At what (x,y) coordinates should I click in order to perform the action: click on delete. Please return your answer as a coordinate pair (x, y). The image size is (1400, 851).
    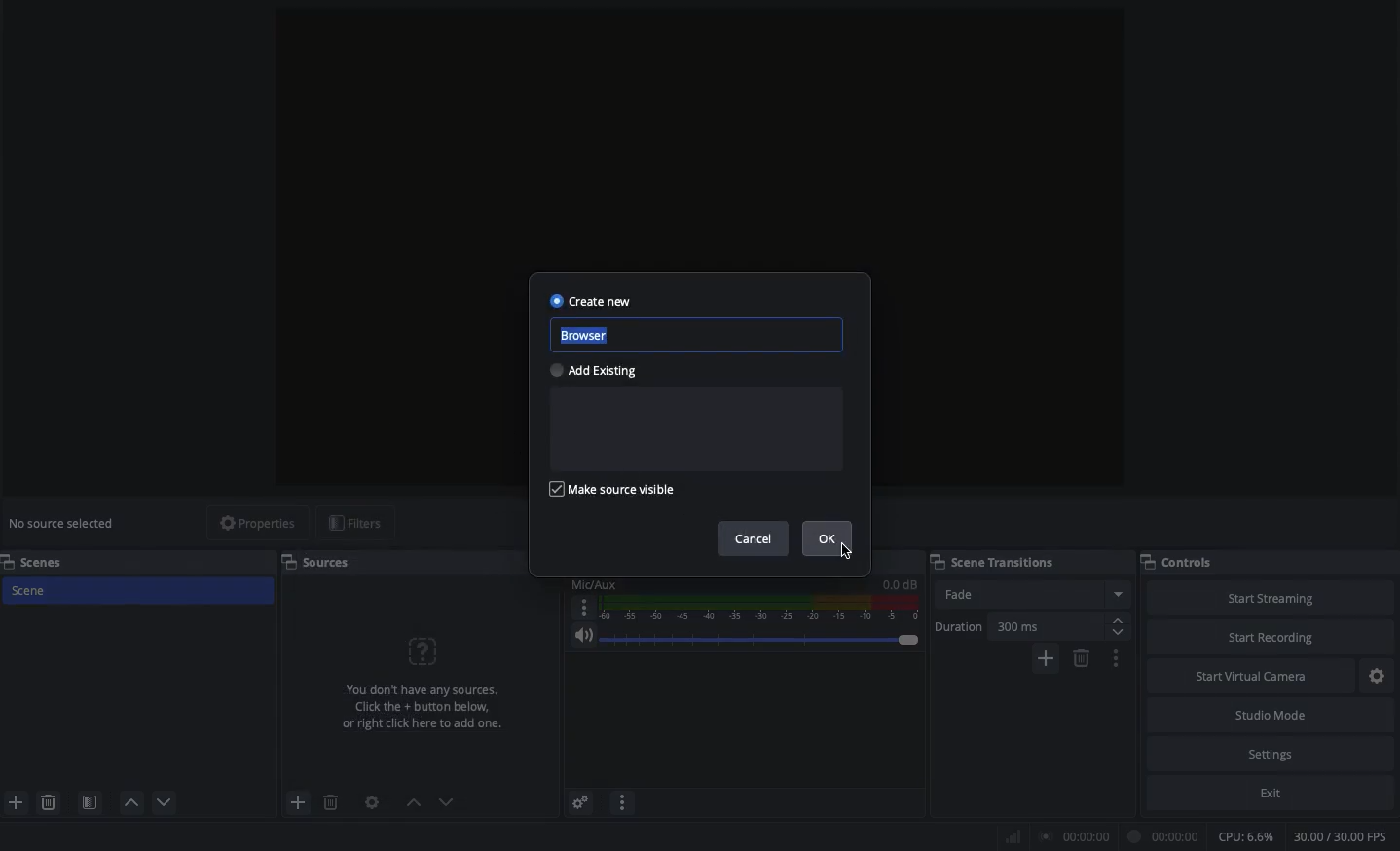
    Looking at the image, I should click on (326, 796).